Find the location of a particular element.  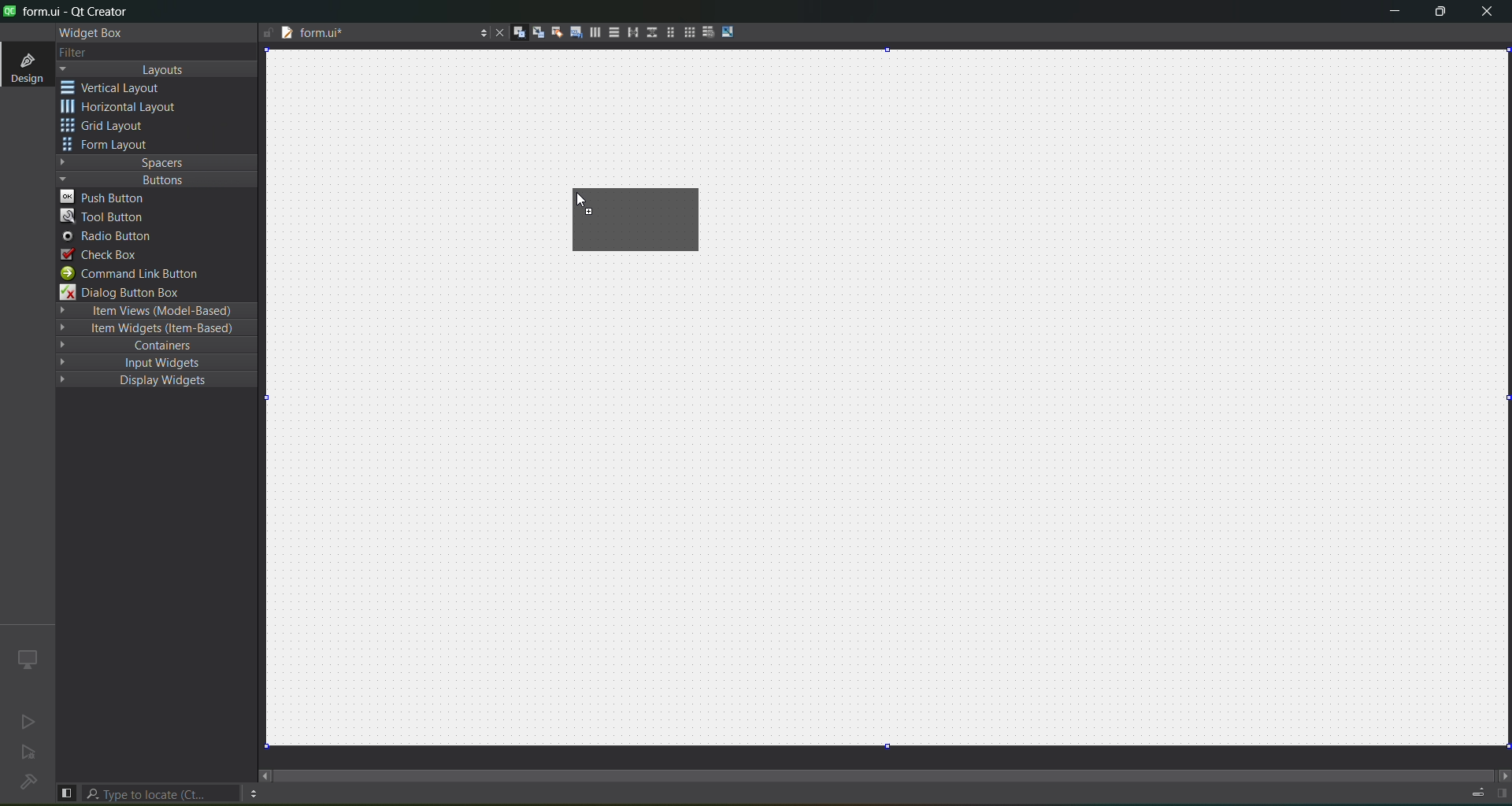

move left is located at coordinates (265, 775).